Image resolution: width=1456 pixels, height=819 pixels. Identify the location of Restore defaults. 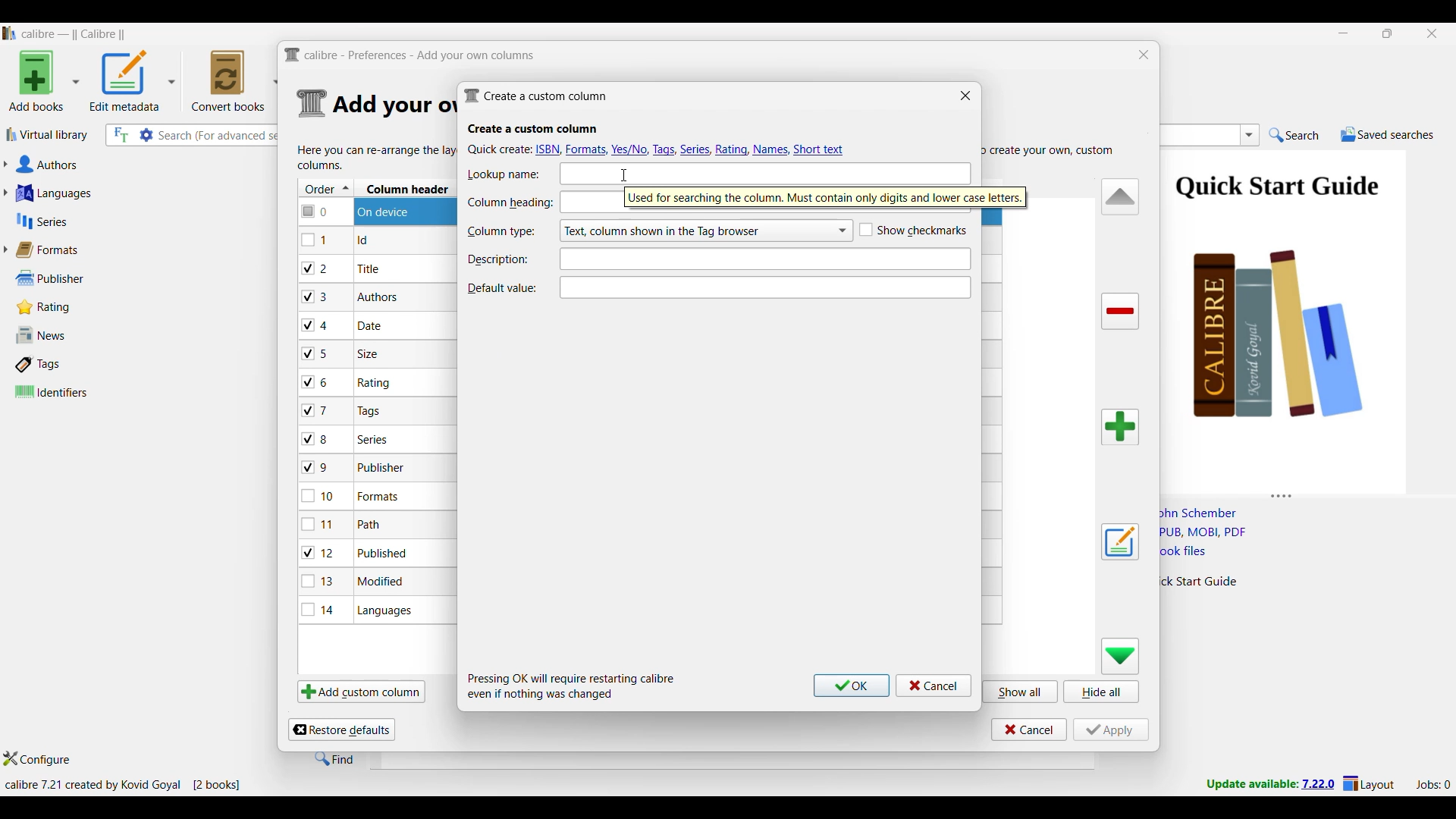
(341, 730).